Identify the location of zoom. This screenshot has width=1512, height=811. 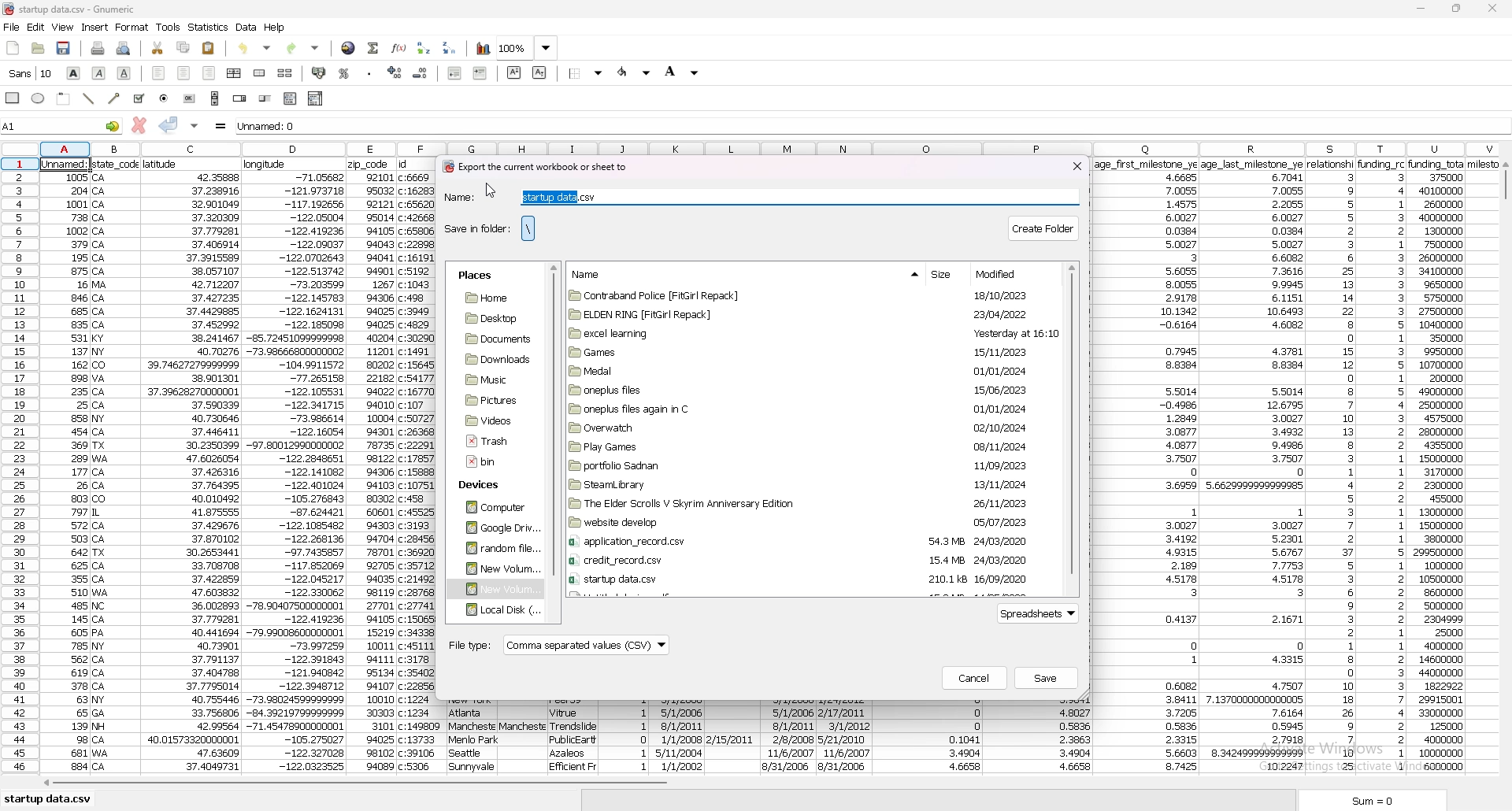
(528, 49).